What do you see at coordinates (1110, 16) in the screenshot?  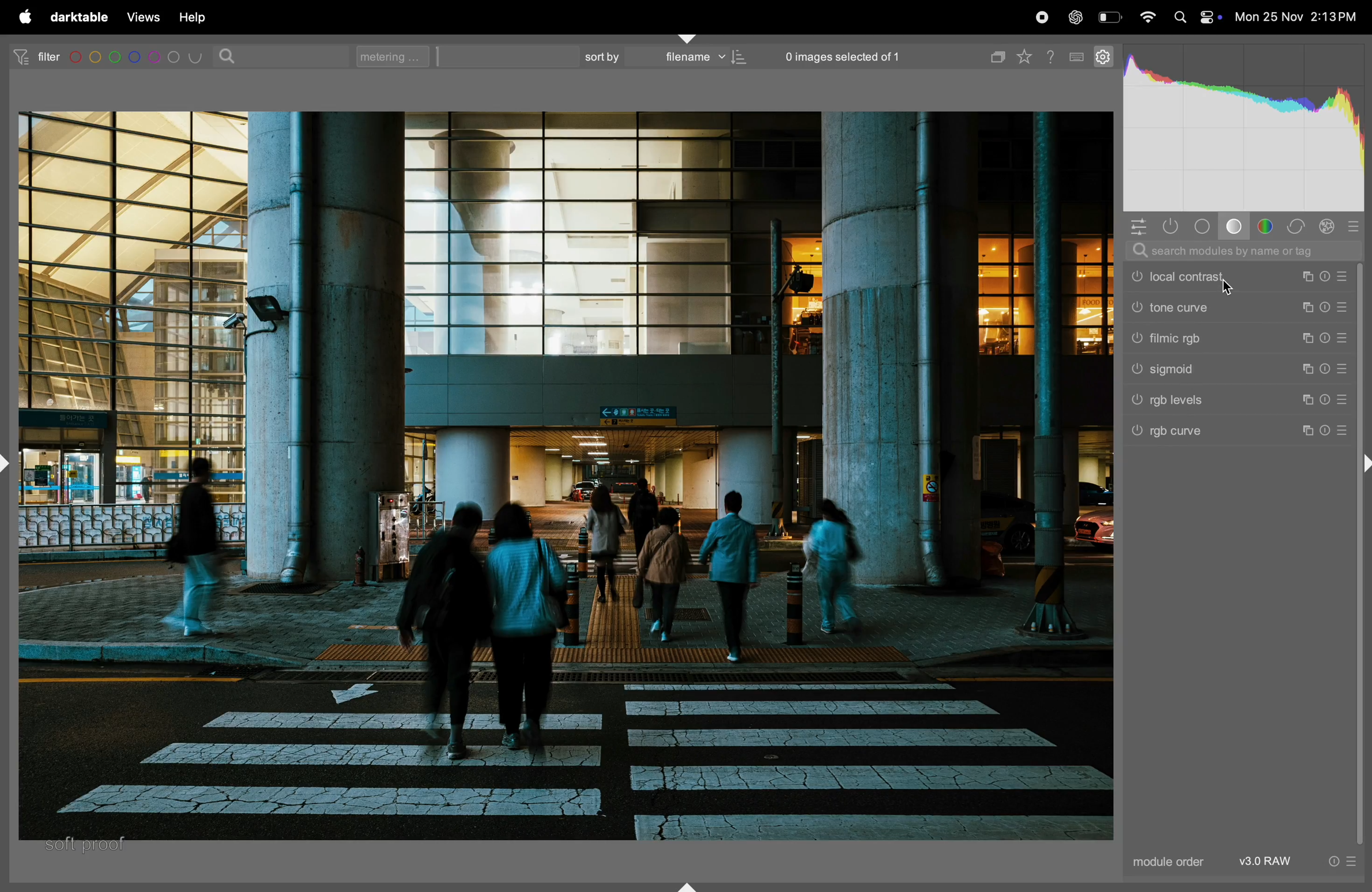 I see `battery` at bounding box center [1110, 16].